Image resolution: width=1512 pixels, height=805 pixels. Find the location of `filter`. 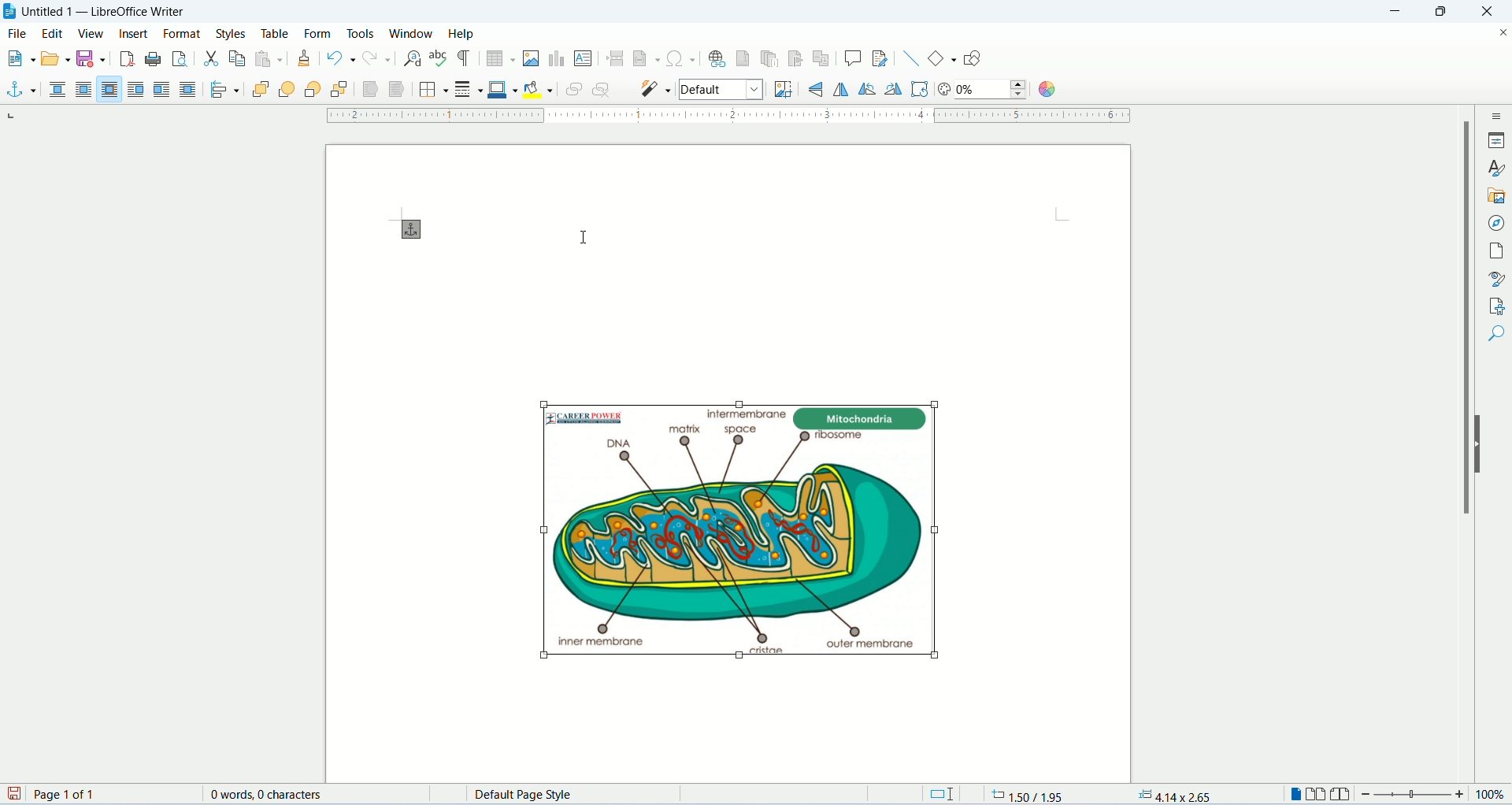

filter is located at coordinates (657, 87).